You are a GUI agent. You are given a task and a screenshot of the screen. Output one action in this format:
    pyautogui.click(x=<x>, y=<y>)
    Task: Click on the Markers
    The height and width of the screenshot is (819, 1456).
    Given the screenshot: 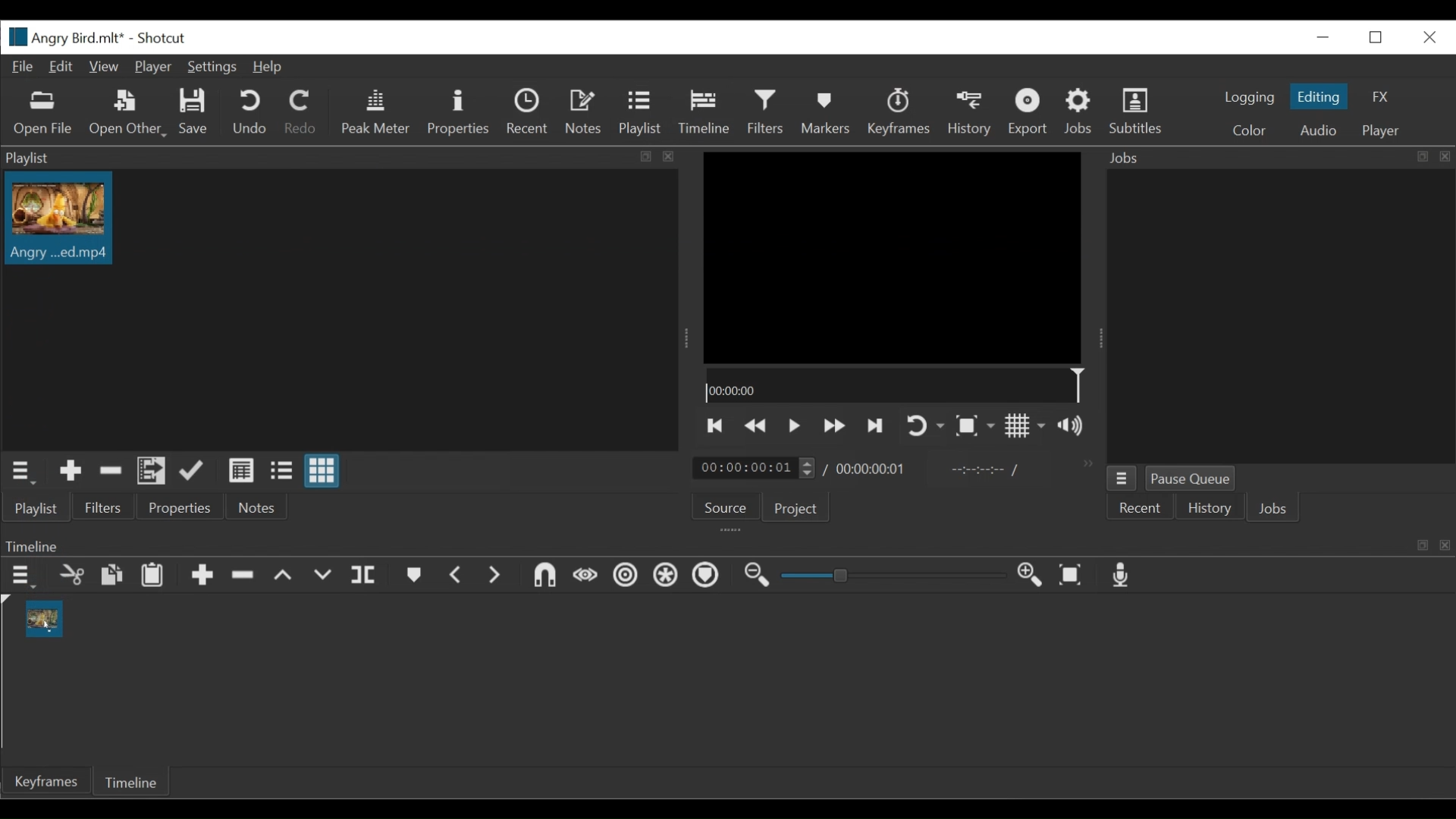 What is the action you would take?
    pyautogui.click(x=707, y=575)
    